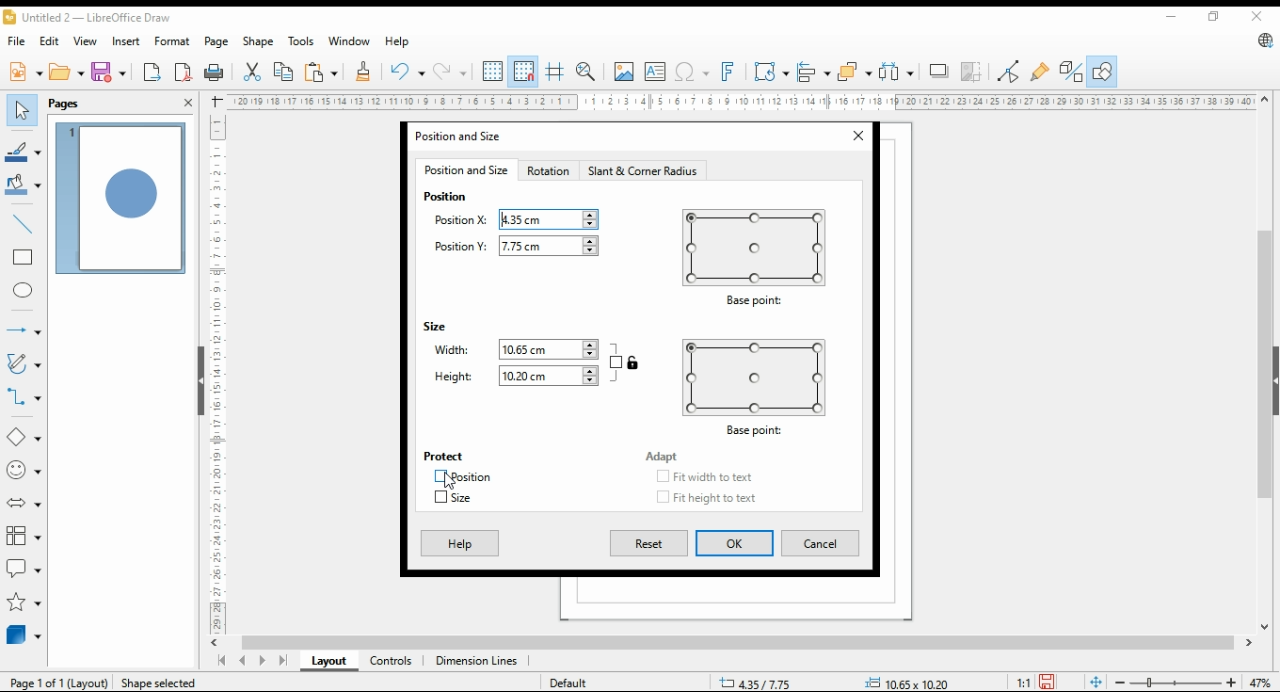  What do you see at coordinates (216, 73) in the screenshot?
I see `print` at bounding box center [216, 73].